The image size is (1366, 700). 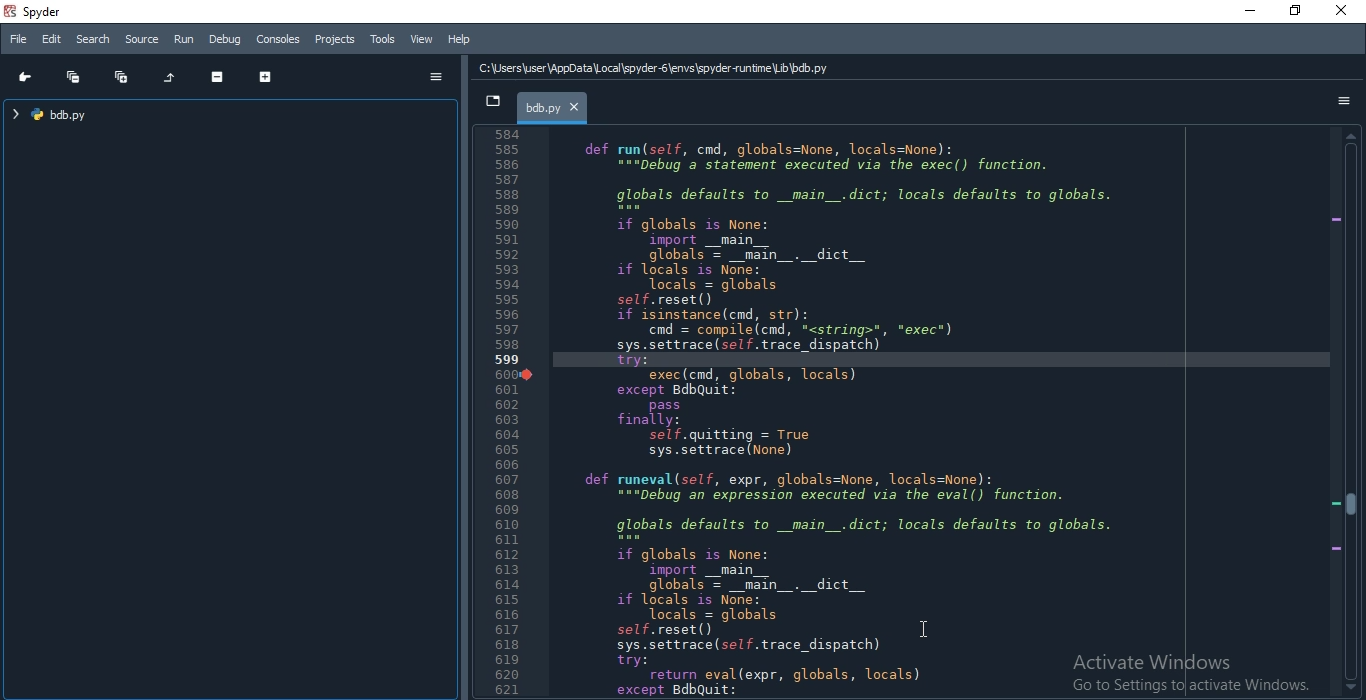 What do you see at coordinates (62, 114) in the screenshot?
I see `file tree` at bounding box center [62, 114].